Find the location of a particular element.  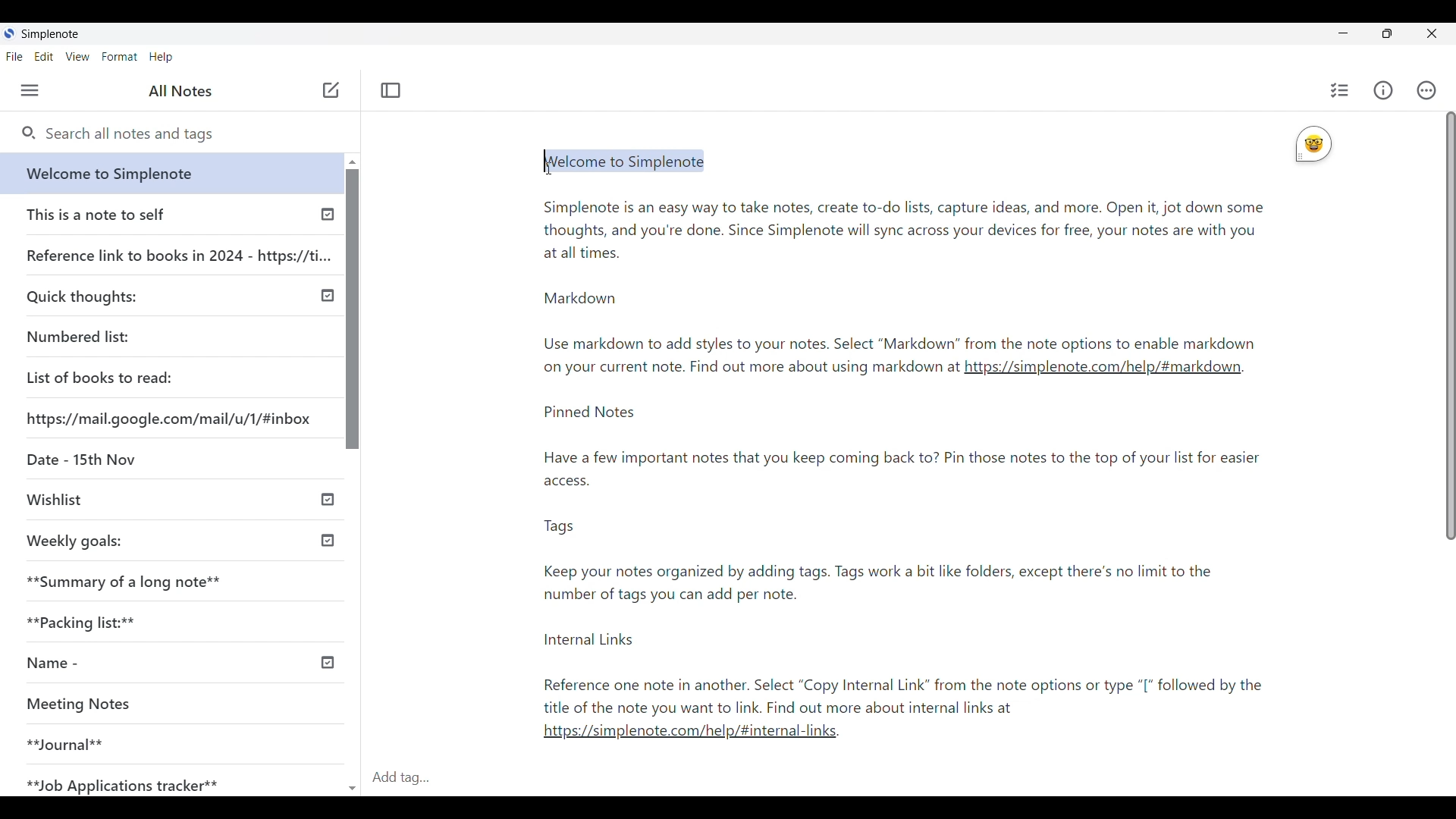

Title of left panel is located at coordinates (180, 91).